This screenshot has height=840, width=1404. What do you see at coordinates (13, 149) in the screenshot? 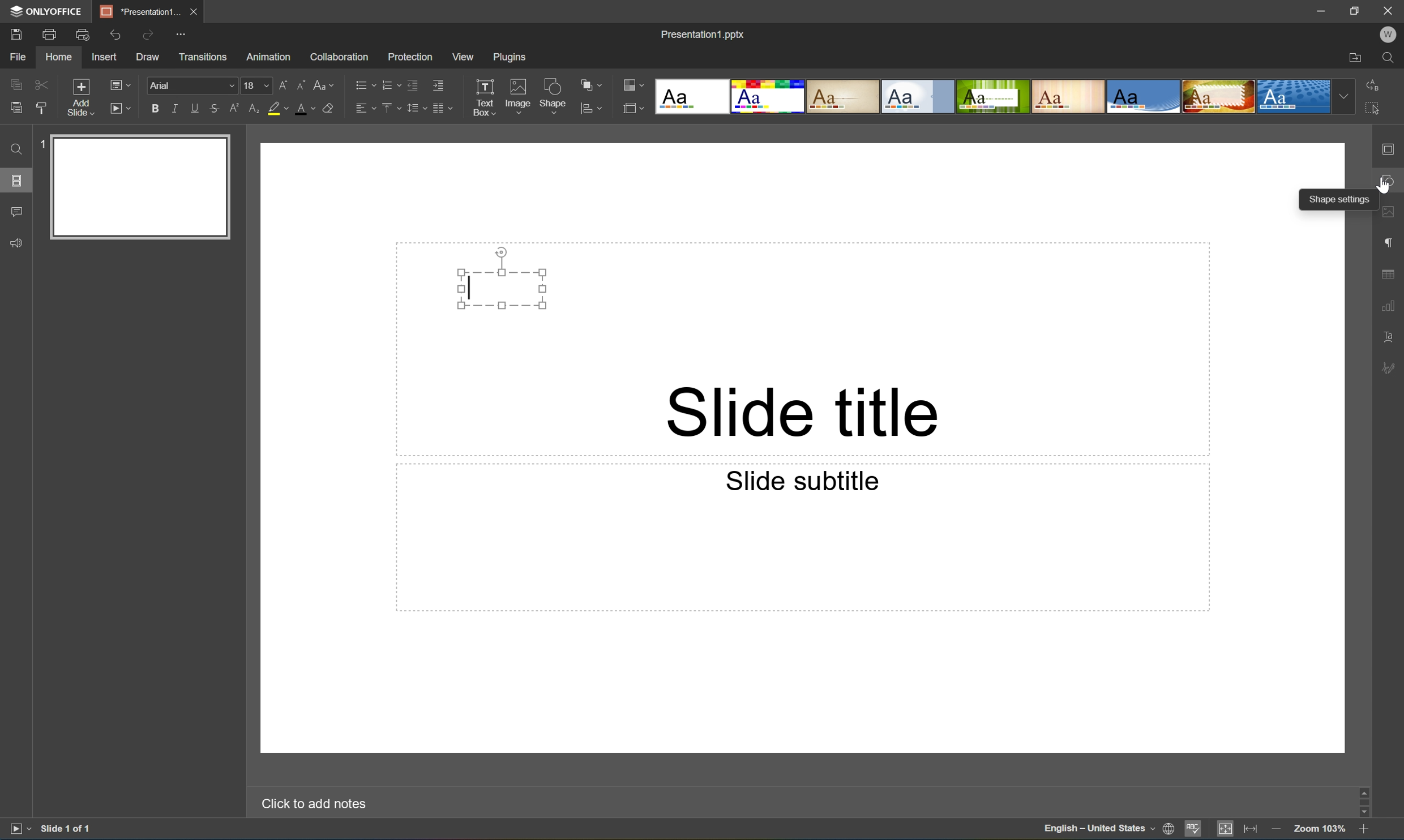
I see `Find` at bounding box center [13, 149].